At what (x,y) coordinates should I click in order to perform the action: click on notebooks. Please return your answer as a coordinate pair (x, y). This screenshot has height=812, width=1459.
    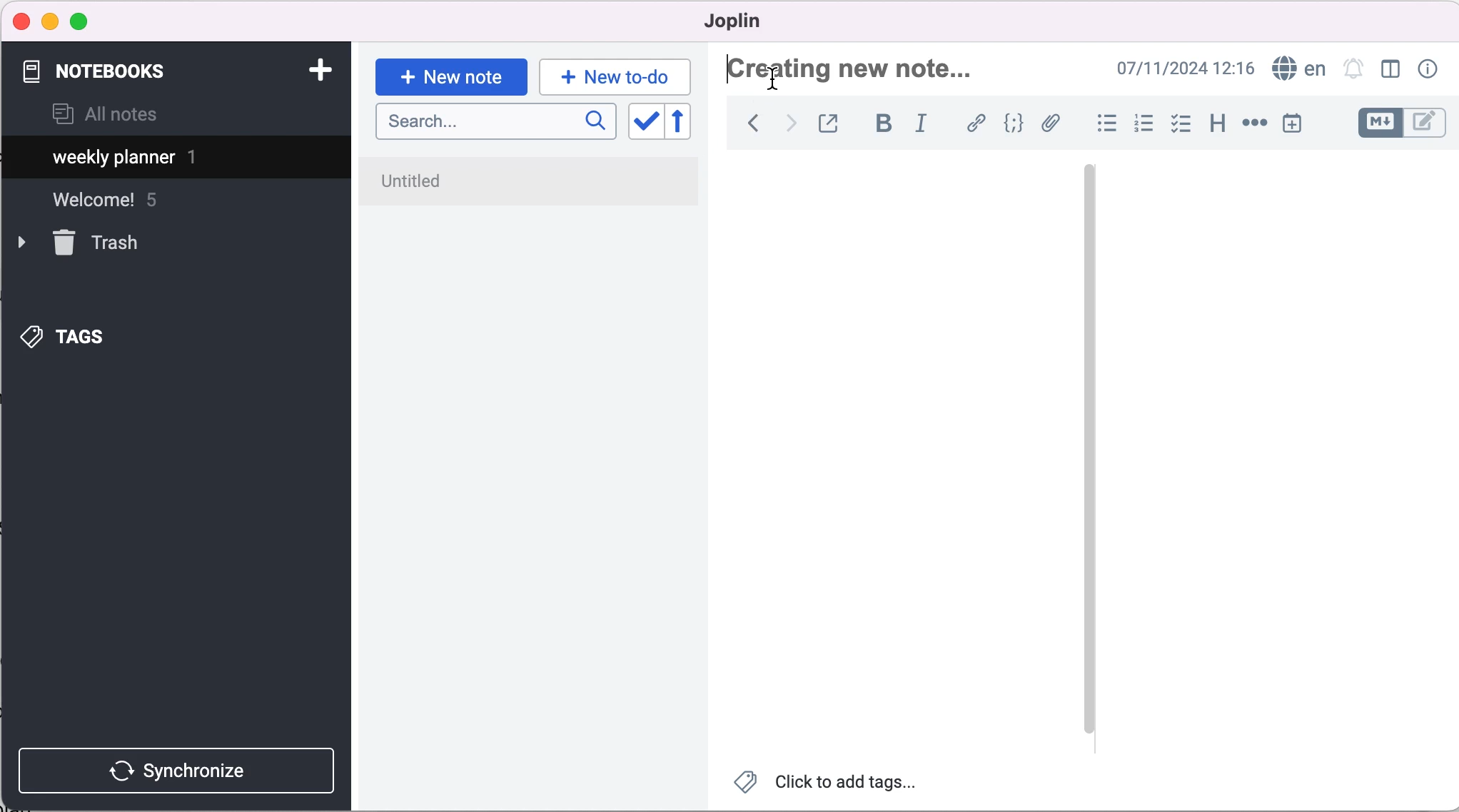
    Looking at the image, I should click on (106, 71).